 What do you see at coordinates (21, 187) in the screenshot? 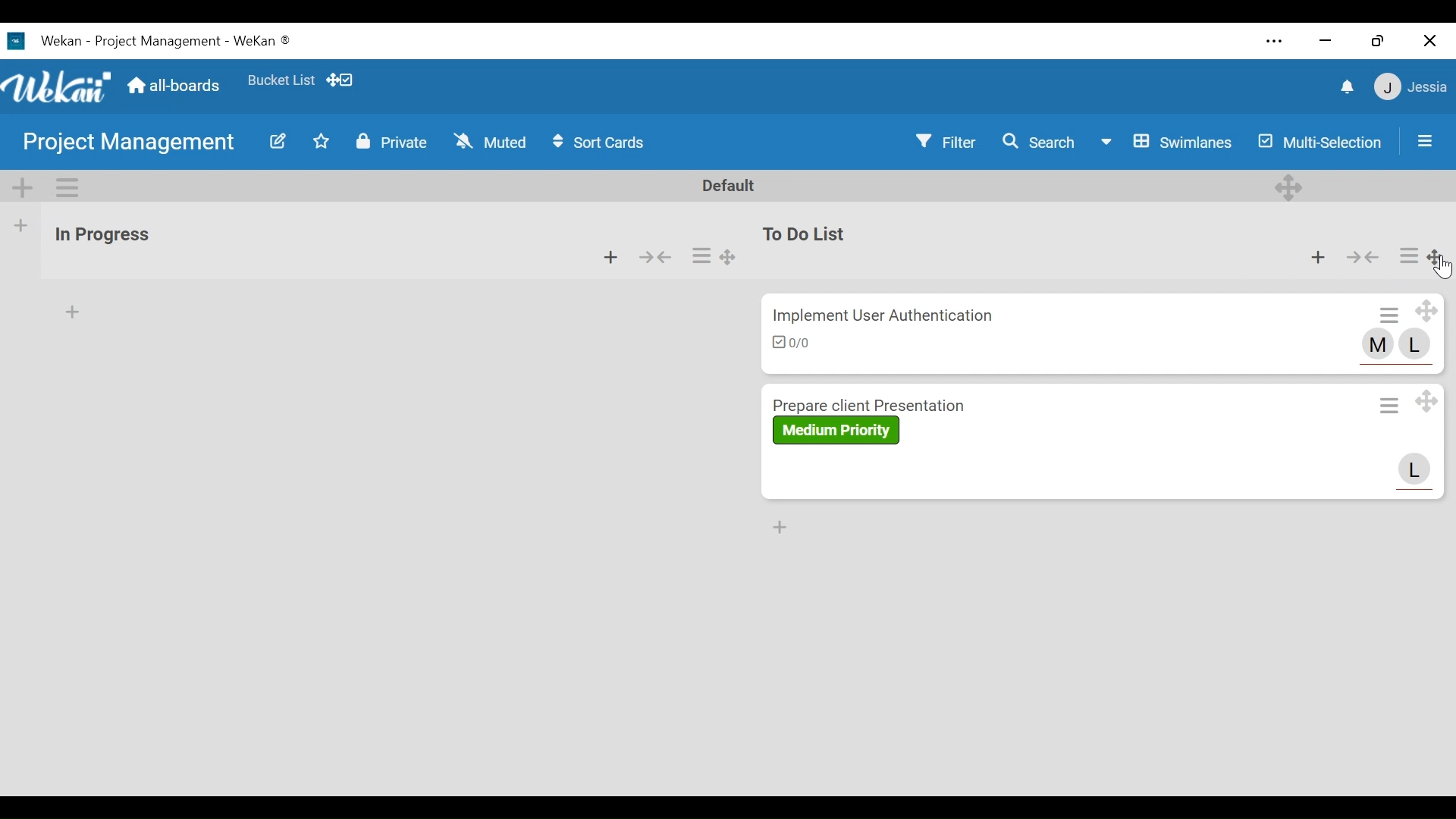
I see `Add Swimlane` at bounding box center [21, 187].